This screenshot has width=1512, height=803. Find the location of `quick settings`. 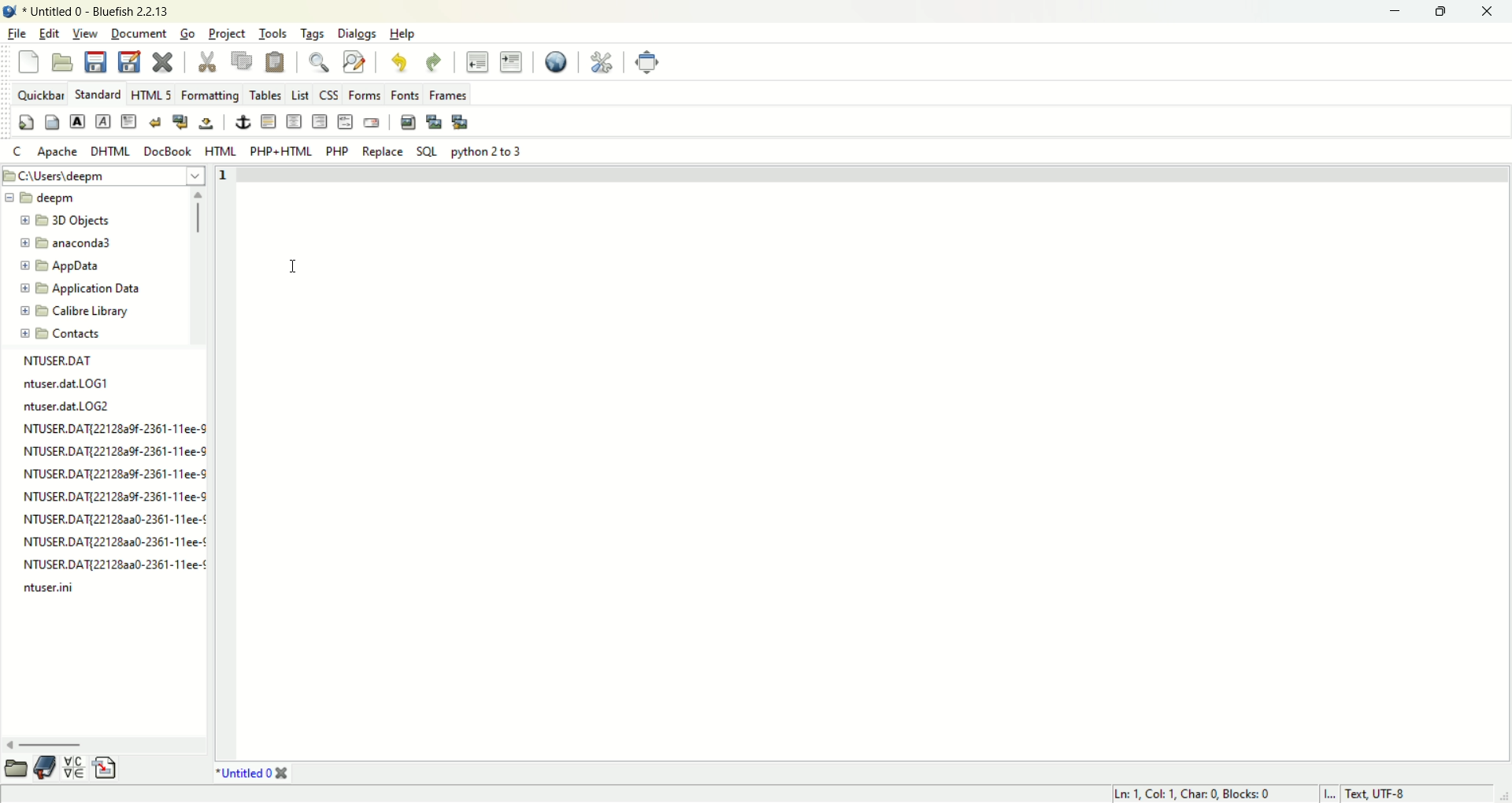

quick settings is located at coordinates (27, 124).